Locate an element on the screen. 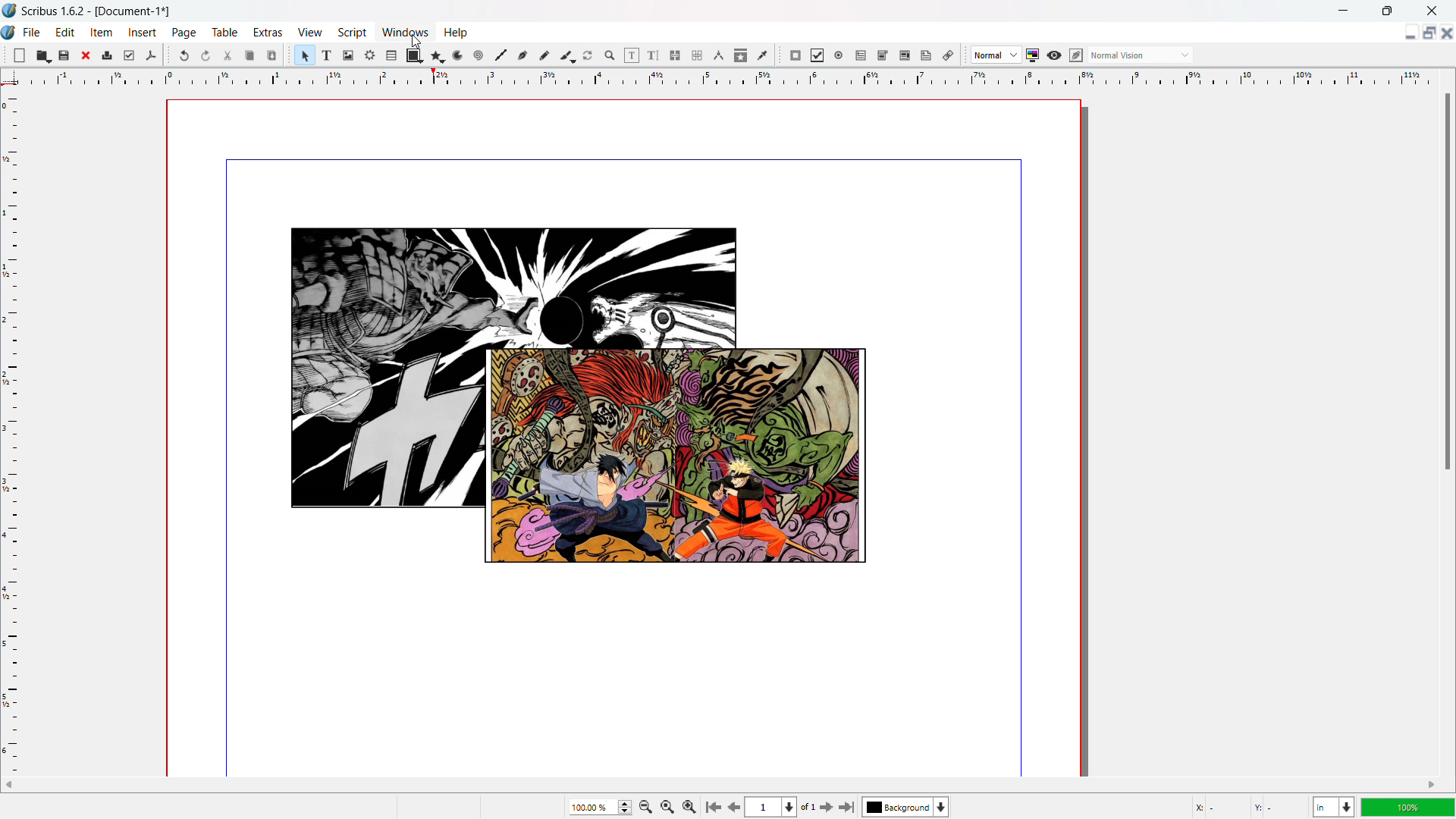 This screenshot has height=819, width=1456. select current unit is located at coordinates (1333, 806).